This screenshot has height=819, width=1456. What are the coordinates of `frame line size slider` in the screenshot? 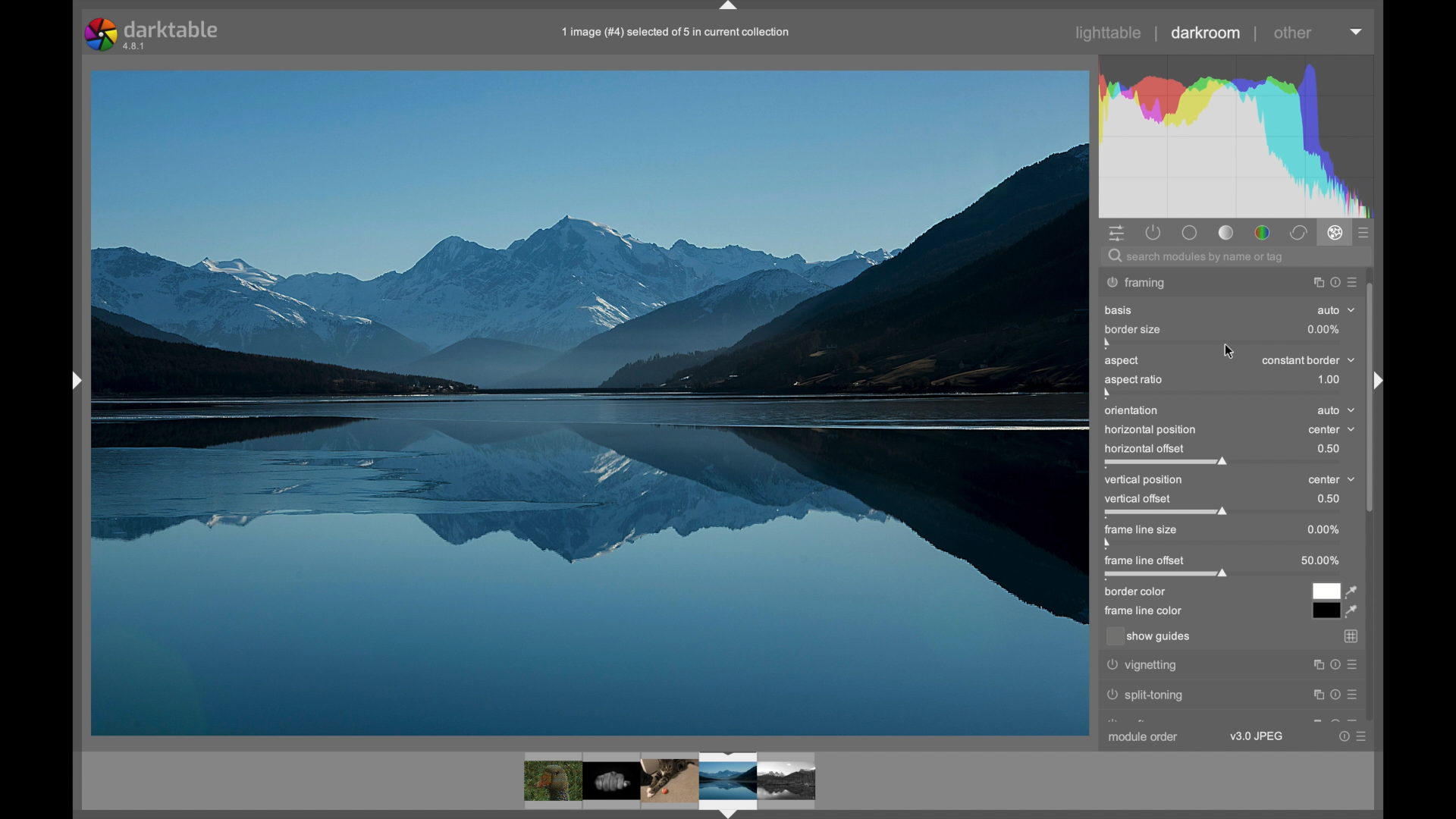 It's located at (1141, 537).